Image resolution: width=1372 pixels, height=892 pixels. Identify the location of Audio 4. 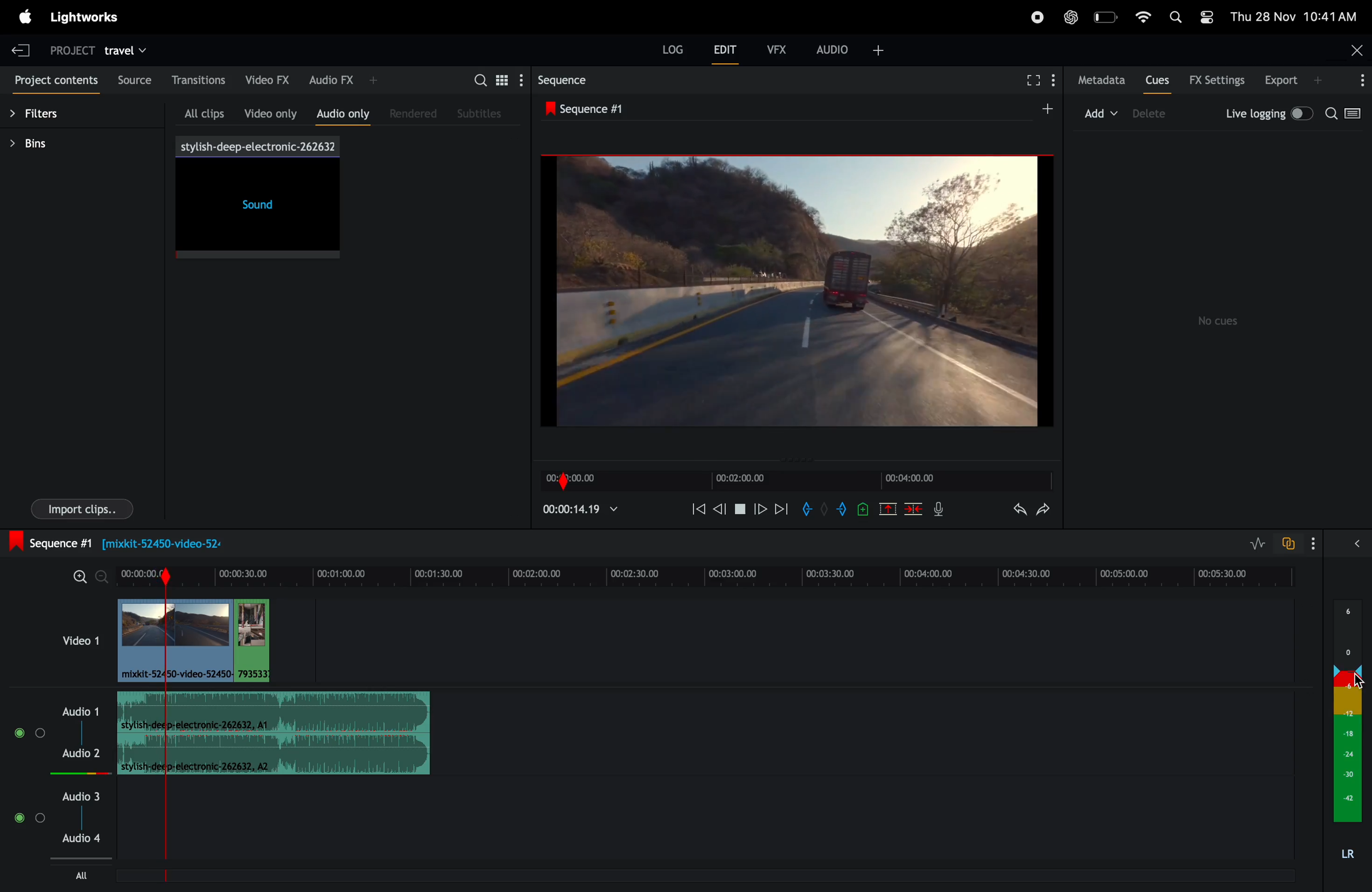
(86, 837).